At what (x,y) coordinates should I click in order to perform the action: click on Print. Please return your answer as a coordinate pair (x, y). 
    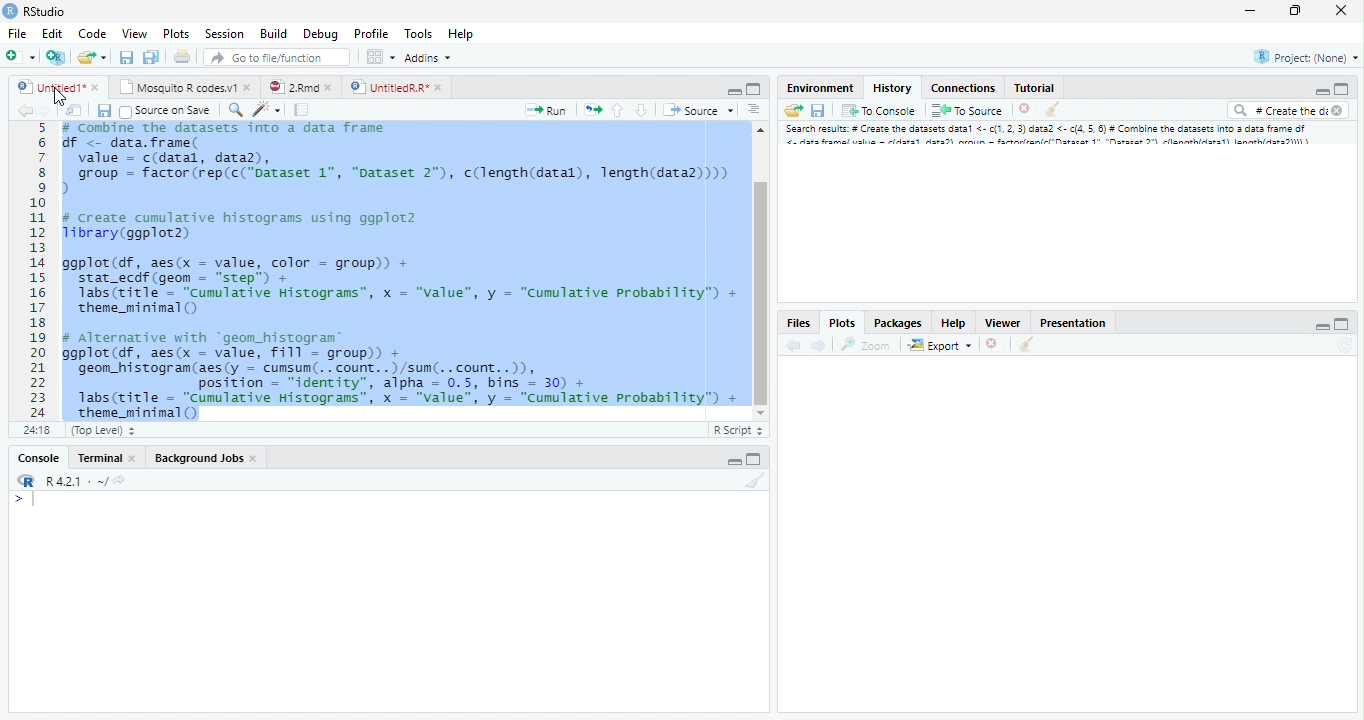
    Looking at the image, I should click on (185, 57).